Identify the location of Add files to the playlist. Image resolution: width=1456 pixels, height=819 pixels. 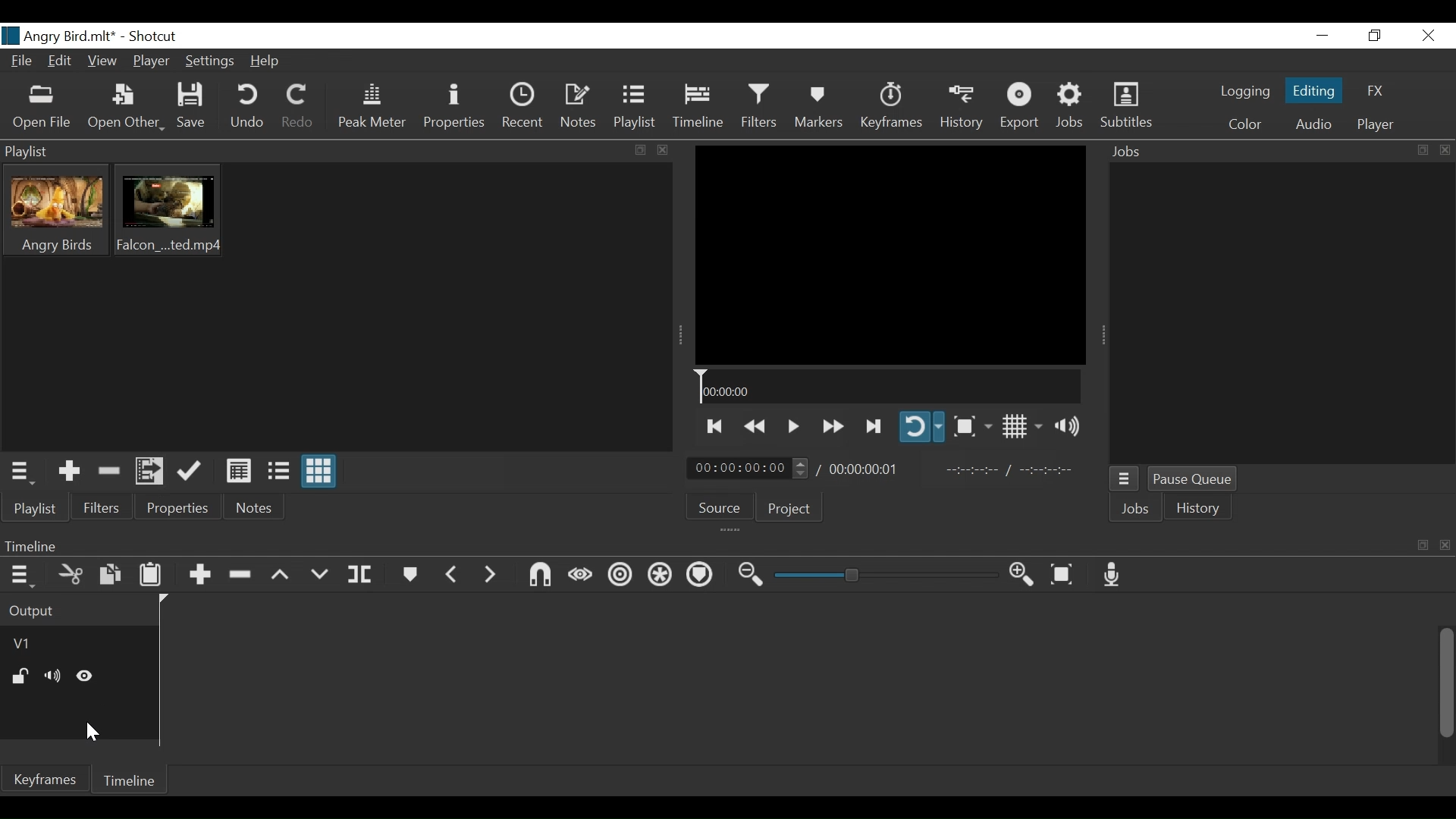
(149, 471).